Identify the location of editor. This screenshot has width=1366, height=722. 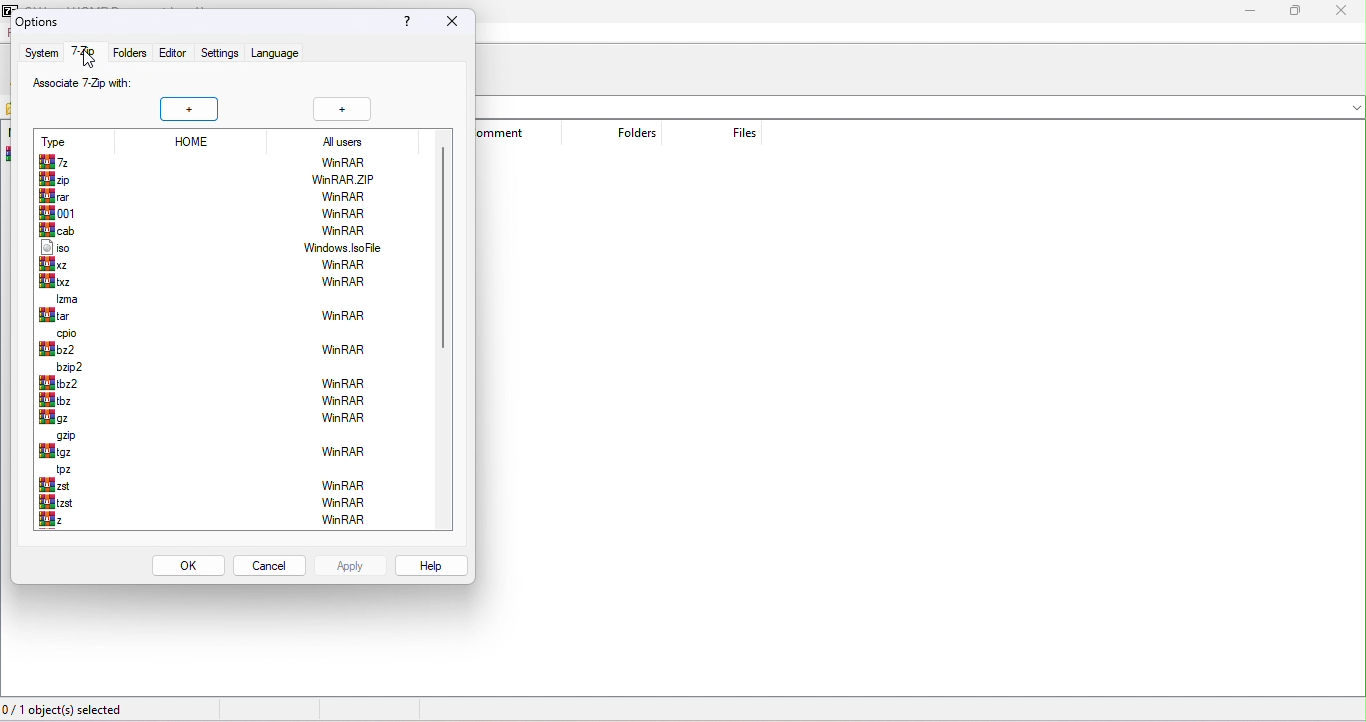
(174, 53).